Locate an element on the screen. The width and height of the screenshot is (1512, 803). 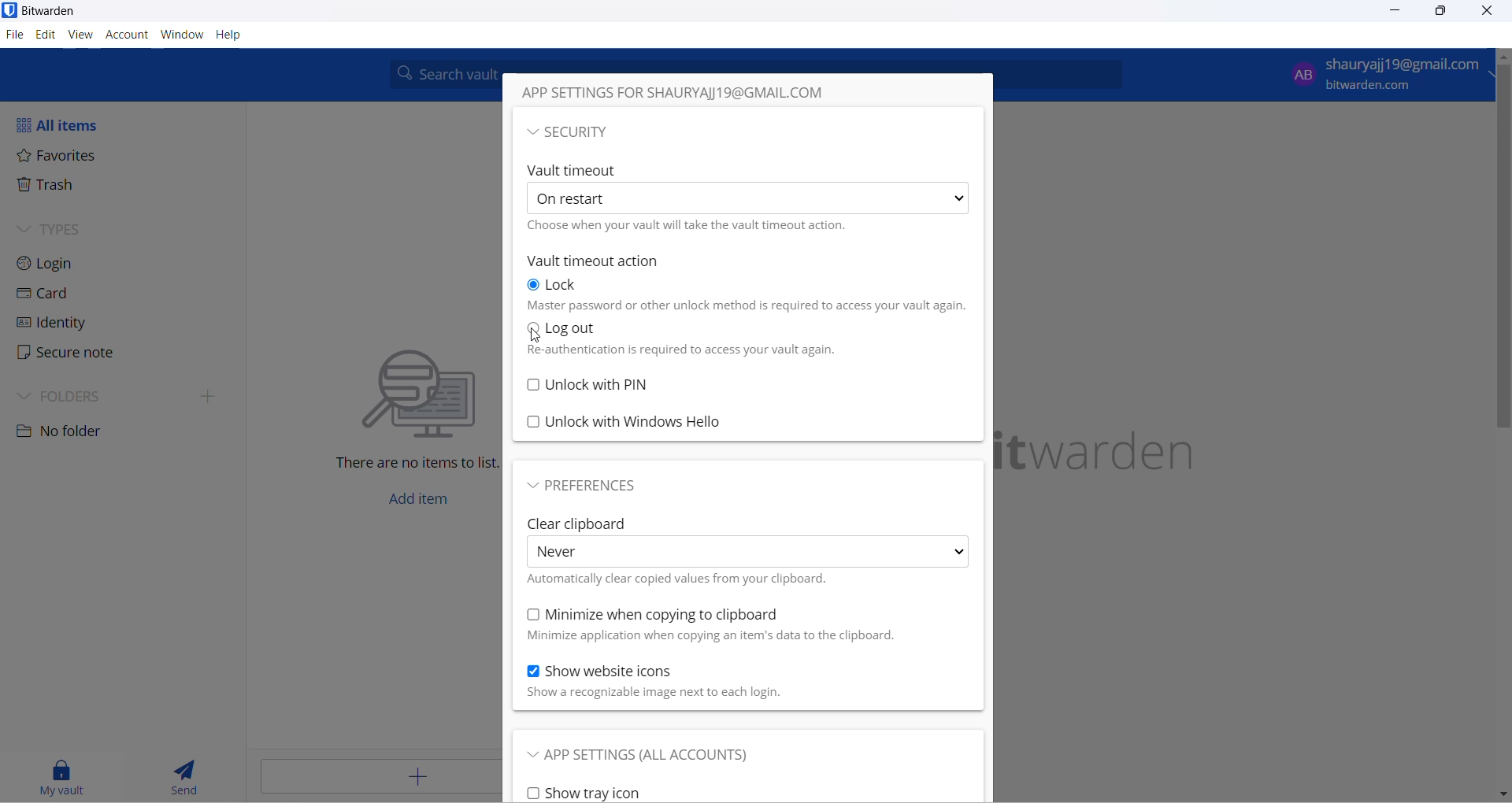
time out options is located at coordinates (746, 198).